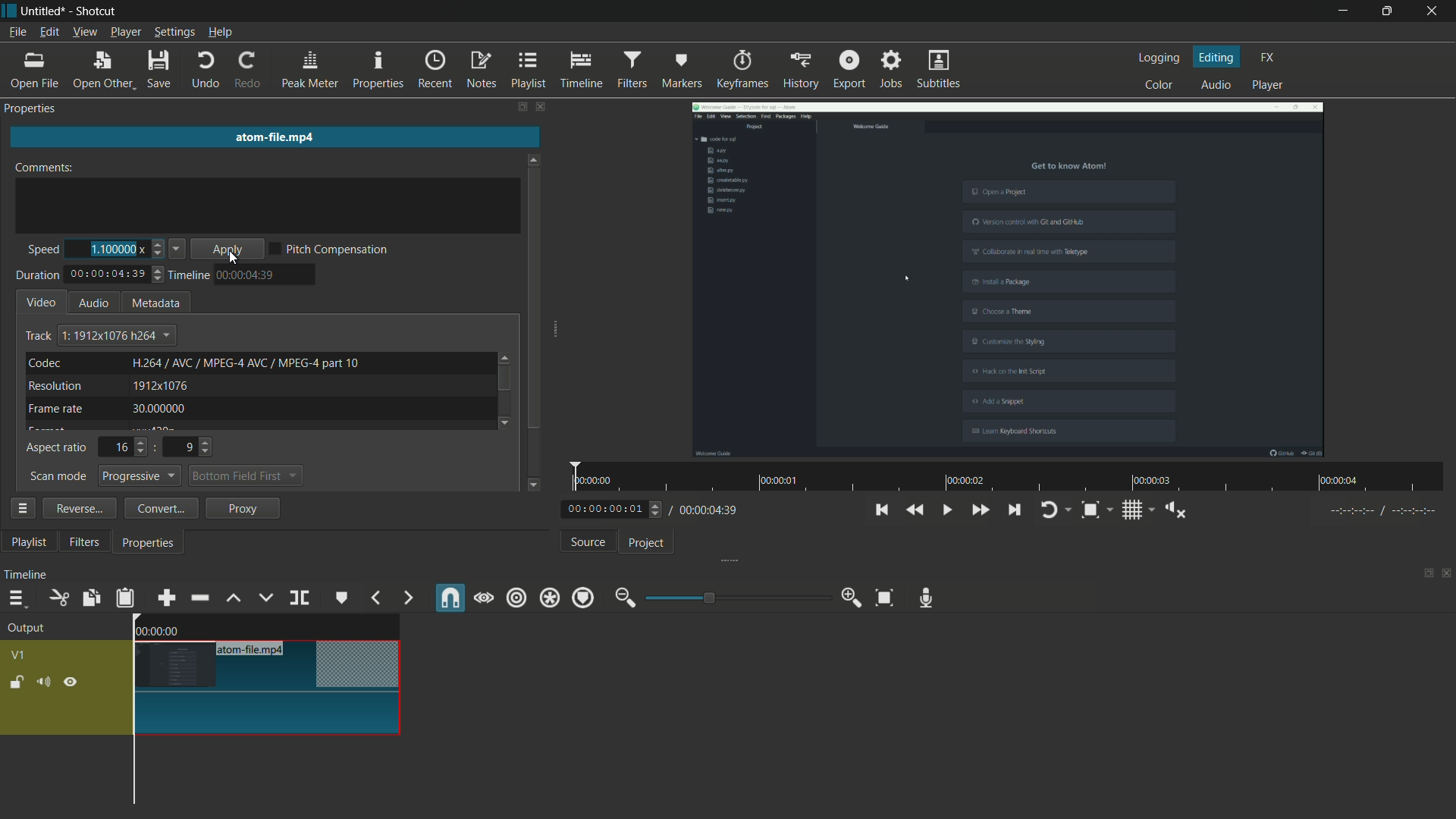 This screenshot has width=1456, height=819. I want to click on scroll bar, so click(504, 379).